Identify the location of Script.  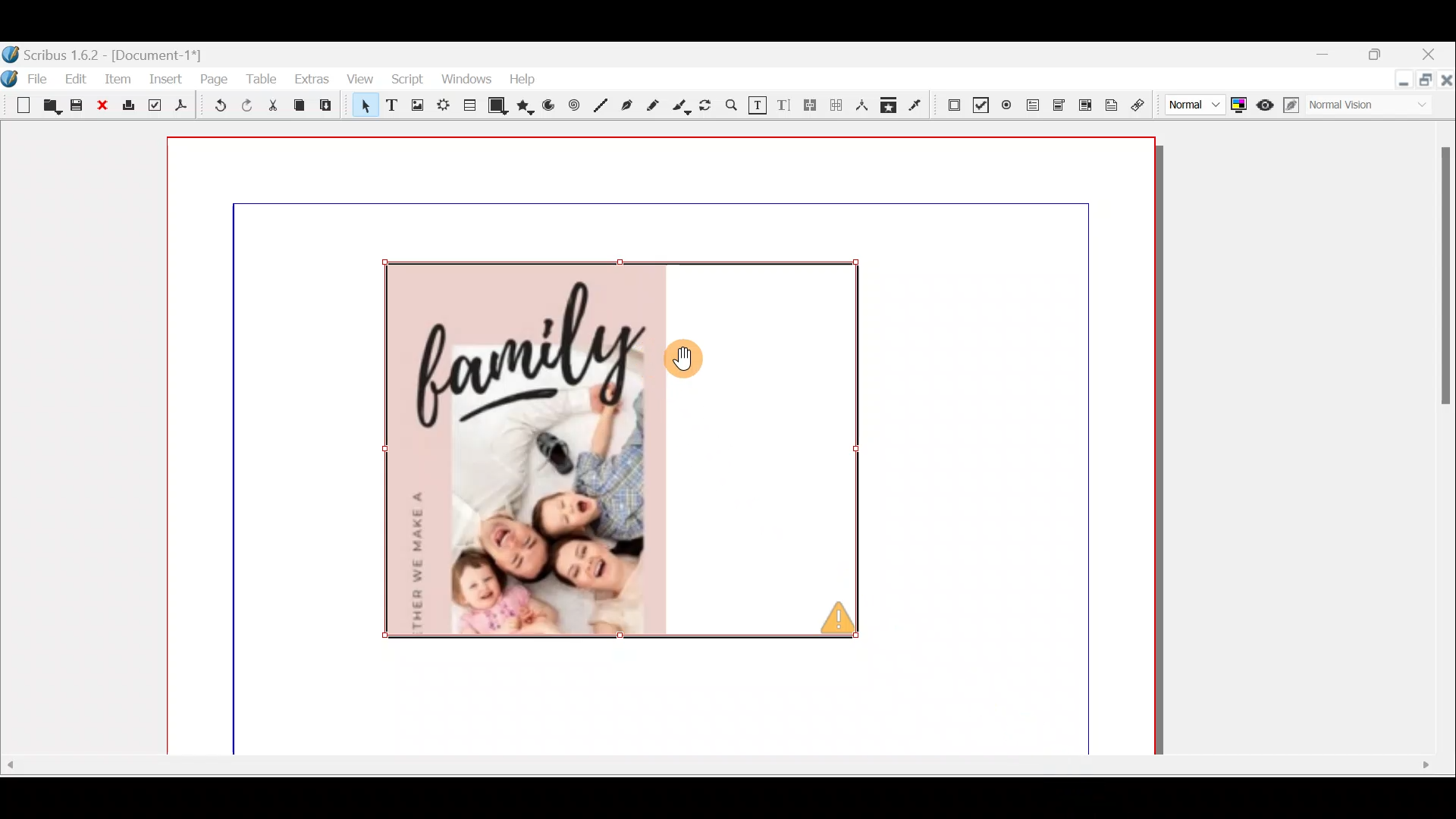
(407, 81).